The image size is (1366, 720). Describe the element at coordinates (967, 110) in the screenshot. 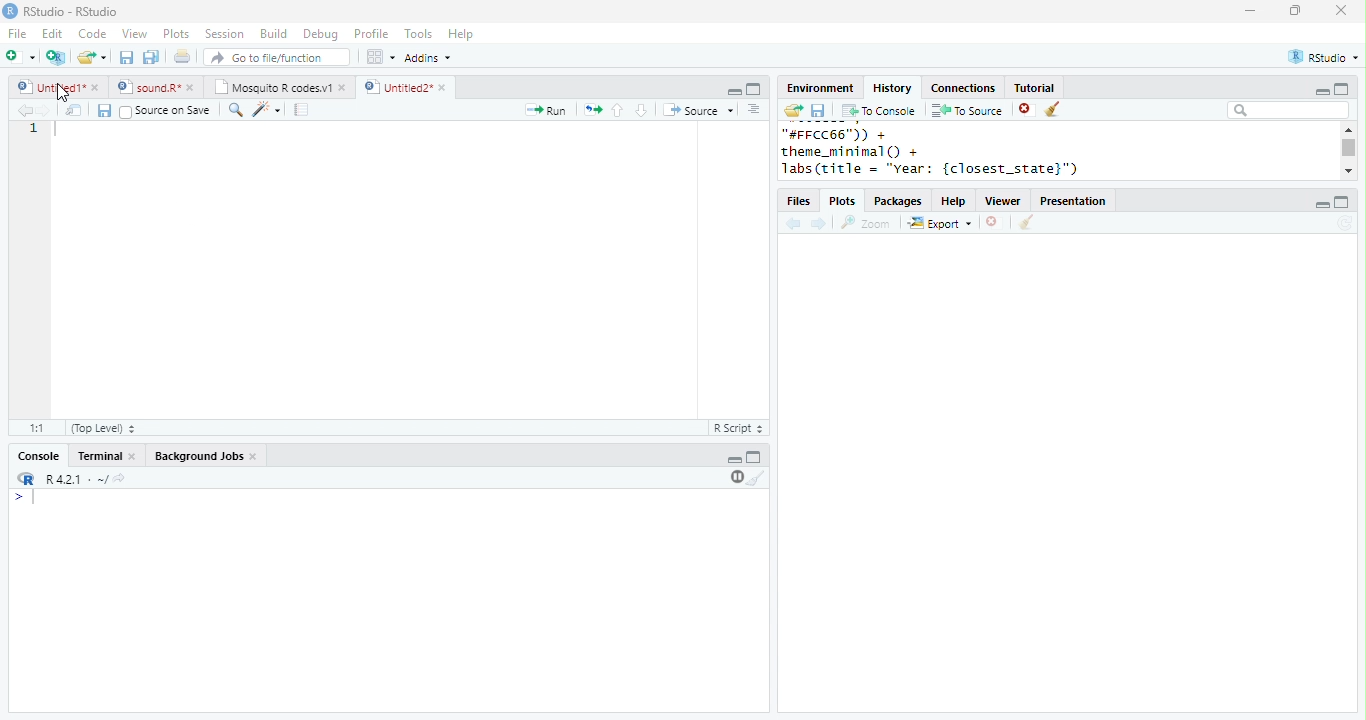

I see `To Source` at that location.